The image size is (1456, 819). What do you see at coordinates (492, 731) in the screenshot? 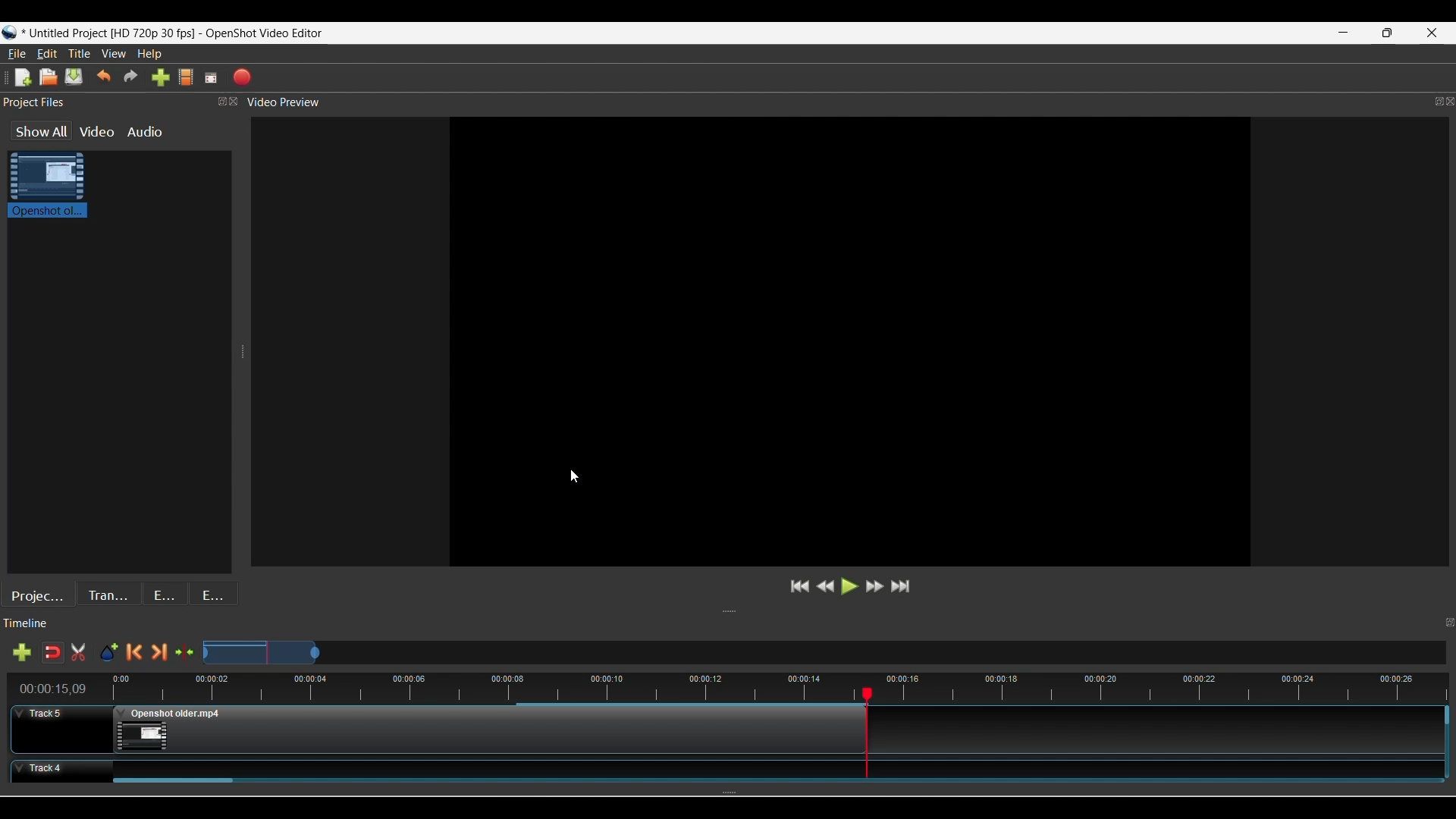
I see `Clip at Track Panel` at bounding box center [492, 731].